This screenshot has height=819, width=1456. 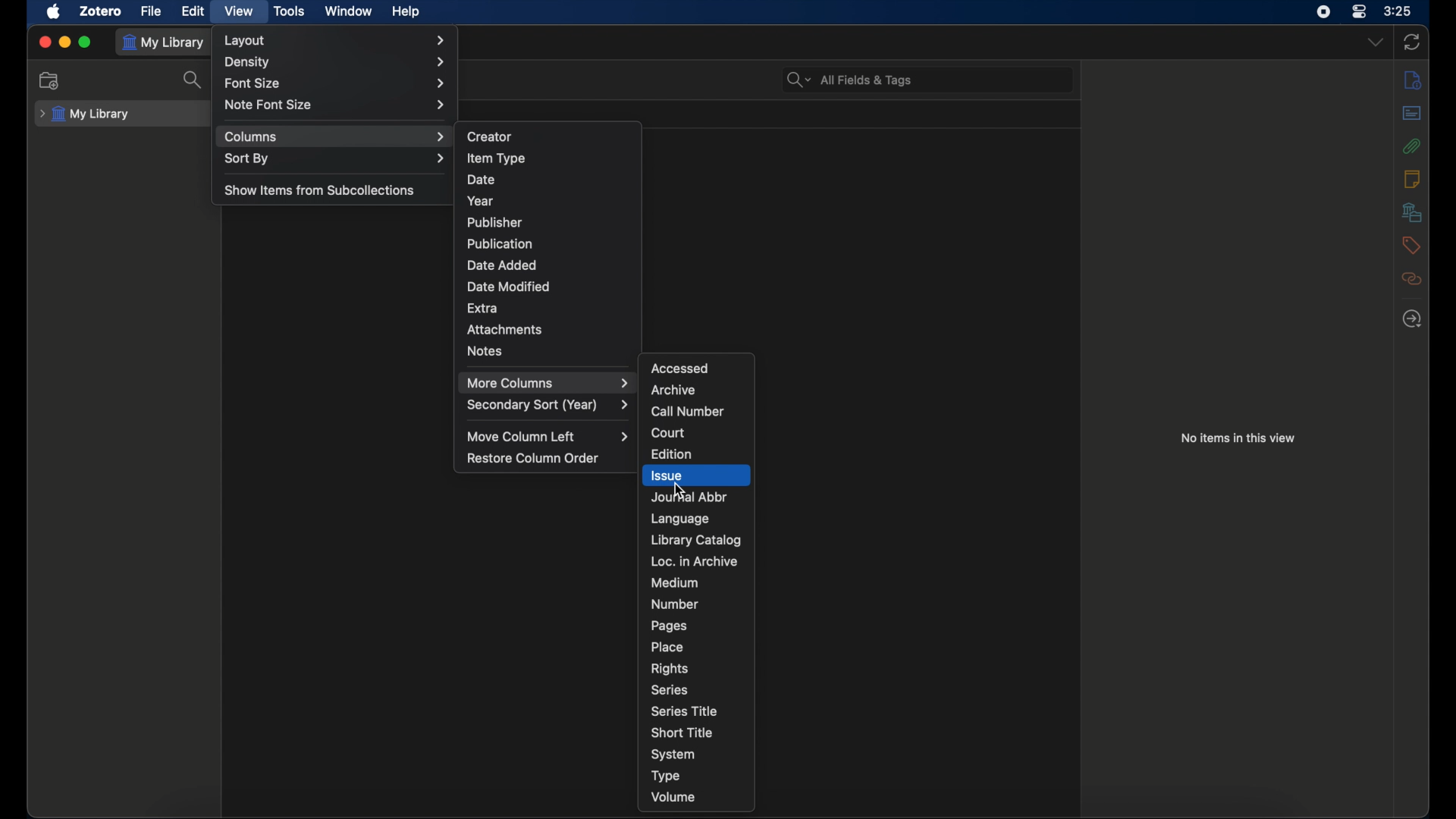 What do you see at coordinates (347, 10) in the screenshot?
I see `window` at bounding box center [347, 10].